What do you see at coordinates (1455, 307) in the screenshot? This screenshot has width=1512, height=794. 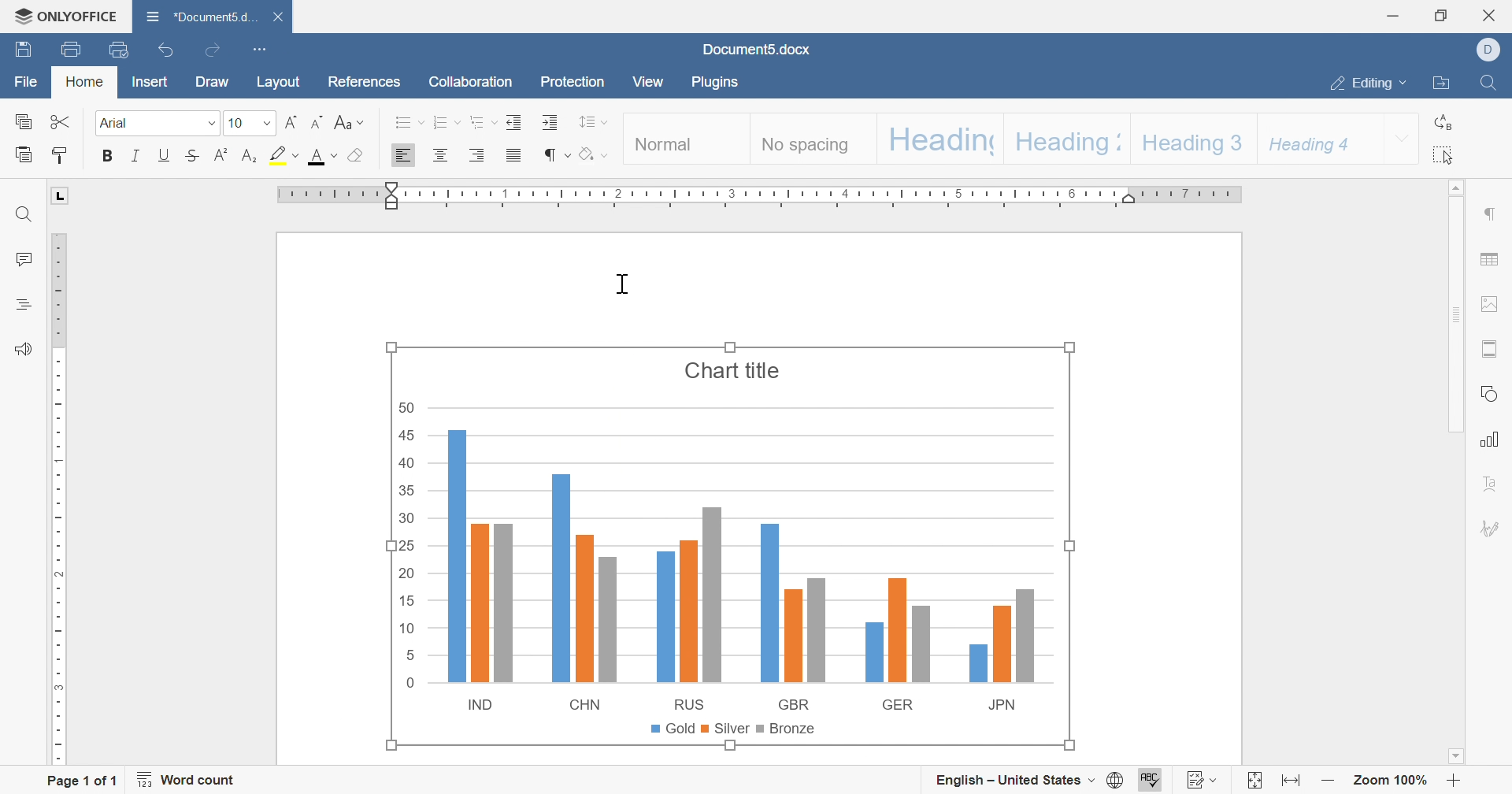 I see `scroll bar` at bounding box center [1455, 307].